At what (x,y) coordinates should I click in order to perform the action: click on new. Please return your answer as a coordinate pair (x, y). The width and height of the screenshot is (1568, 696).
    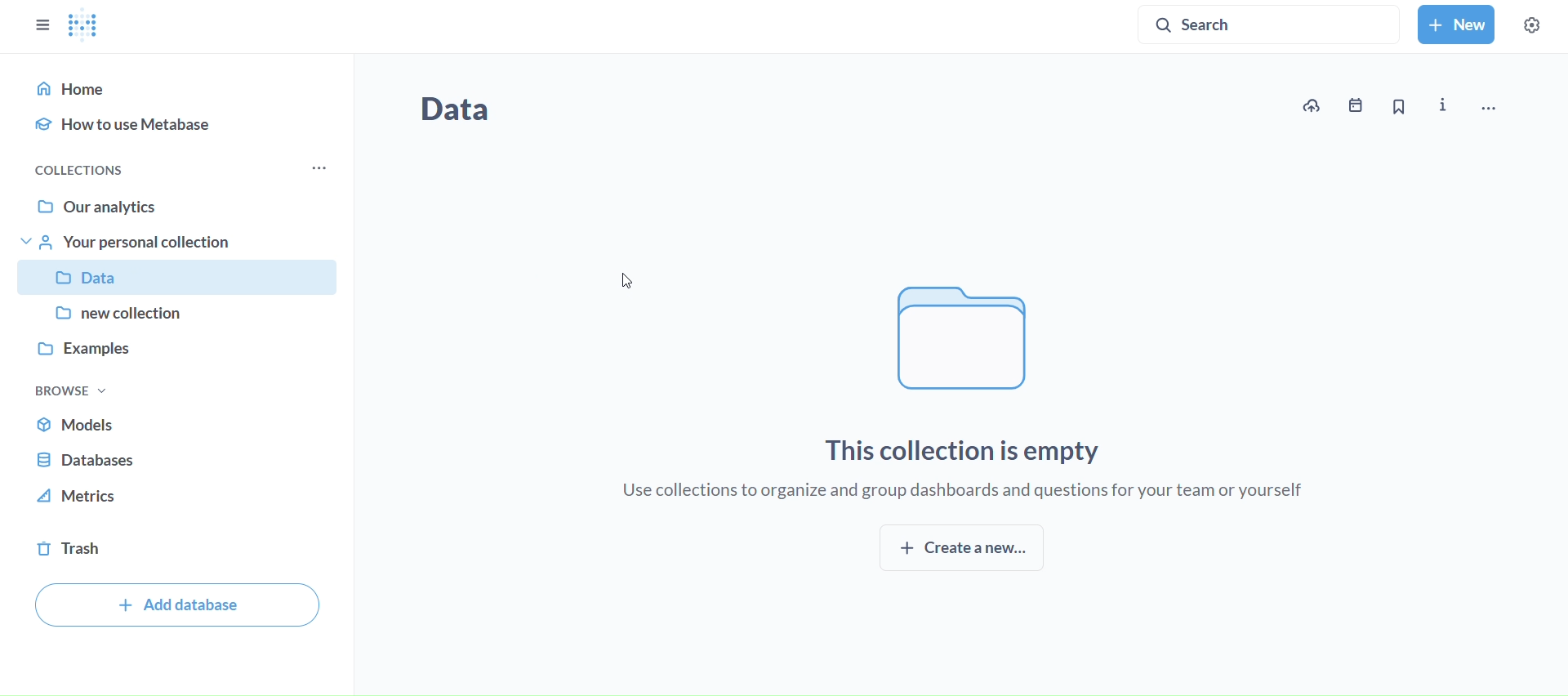
    Looking at the image, I should click on (1456, 24).